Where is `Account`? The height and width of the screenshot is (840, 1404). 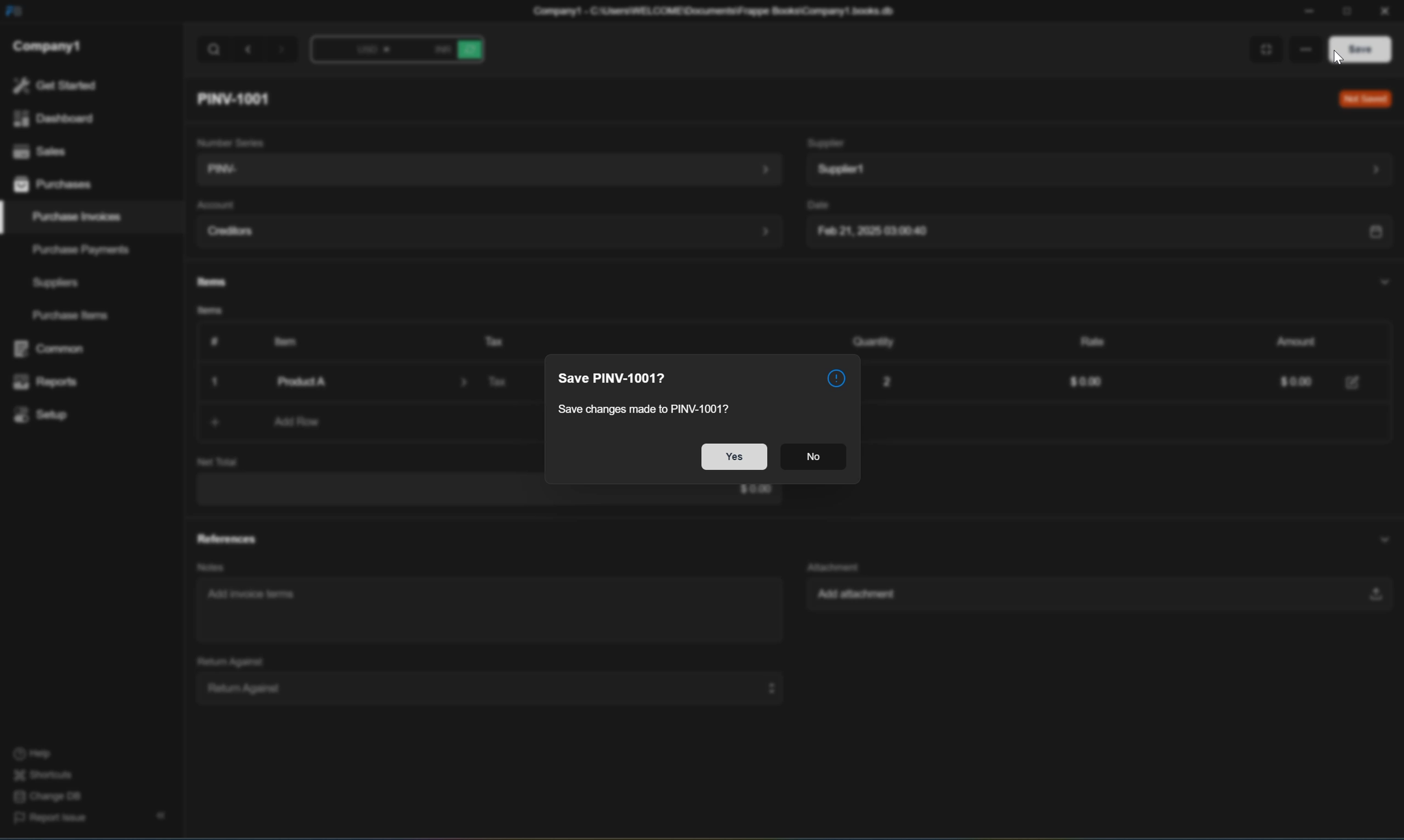
Account is located at coordinates (215, 205).